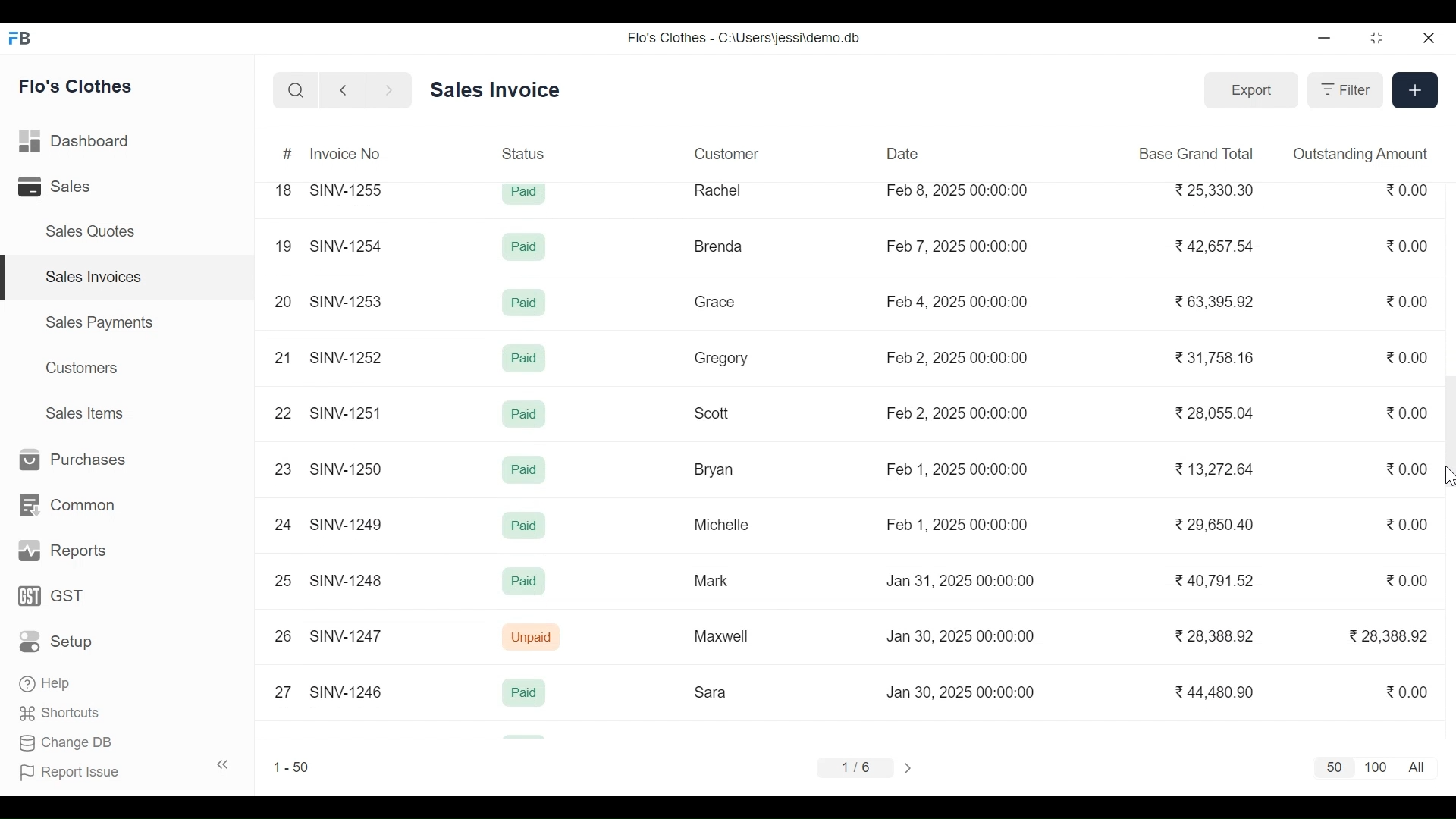  I want to click on 18, so click(284, 190).